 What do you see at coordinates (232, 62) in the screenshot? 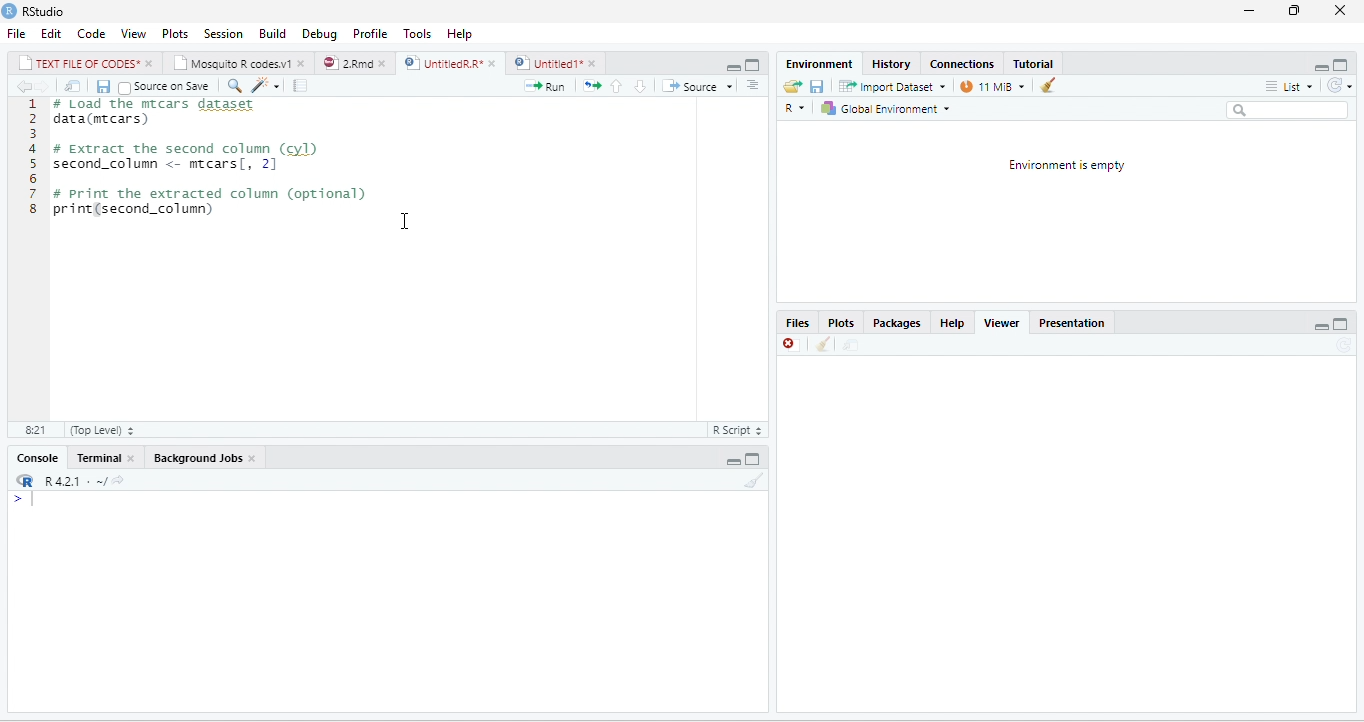
I see `‘Mosquito R codes.v1` at bounding box center [232, 62].